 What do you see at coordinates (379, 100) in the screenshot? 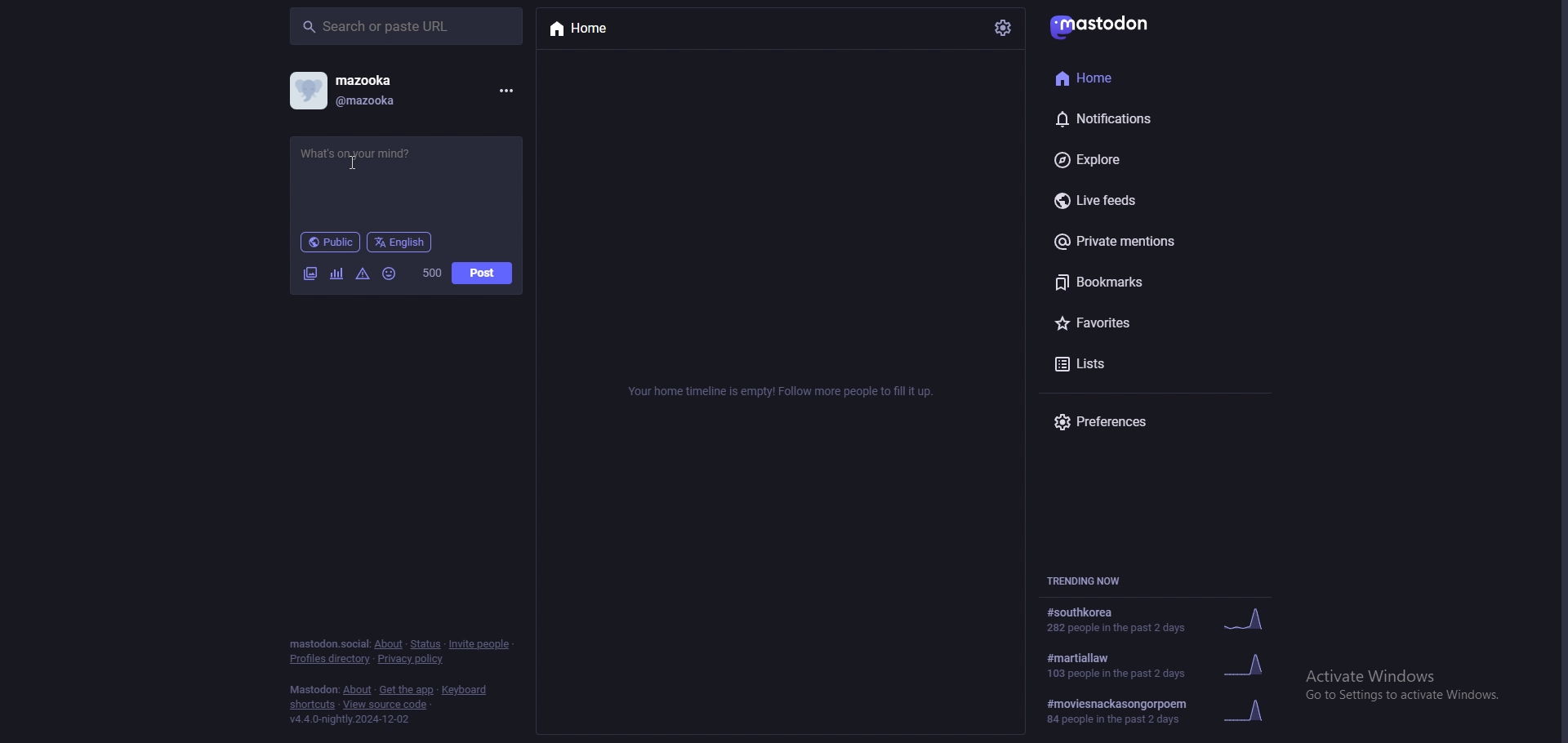
I see `@mazooka` at bounding box center [379, 100].